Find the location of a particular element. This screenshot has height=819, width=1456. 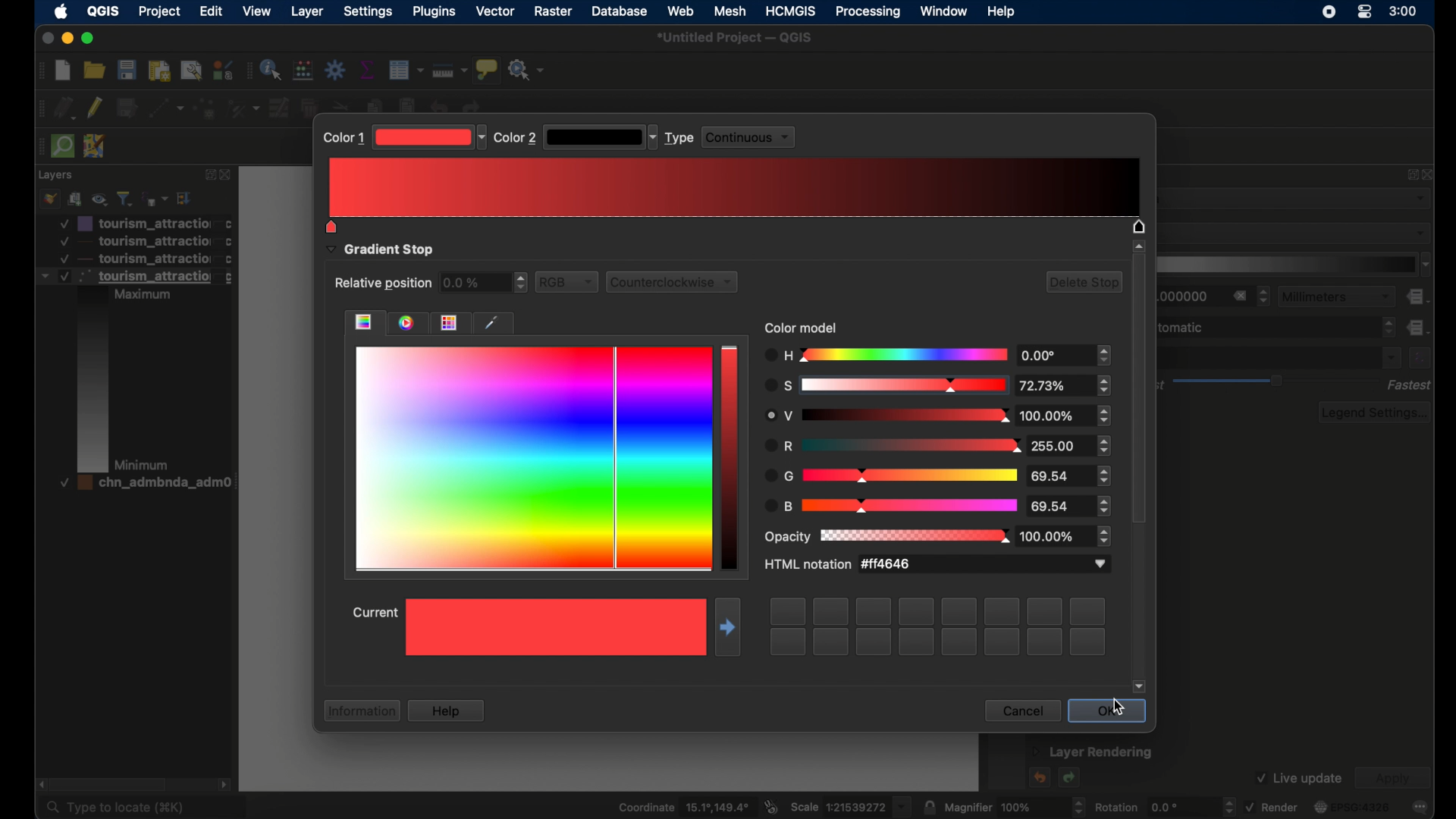

redo is located at coordinates (1070, 779).